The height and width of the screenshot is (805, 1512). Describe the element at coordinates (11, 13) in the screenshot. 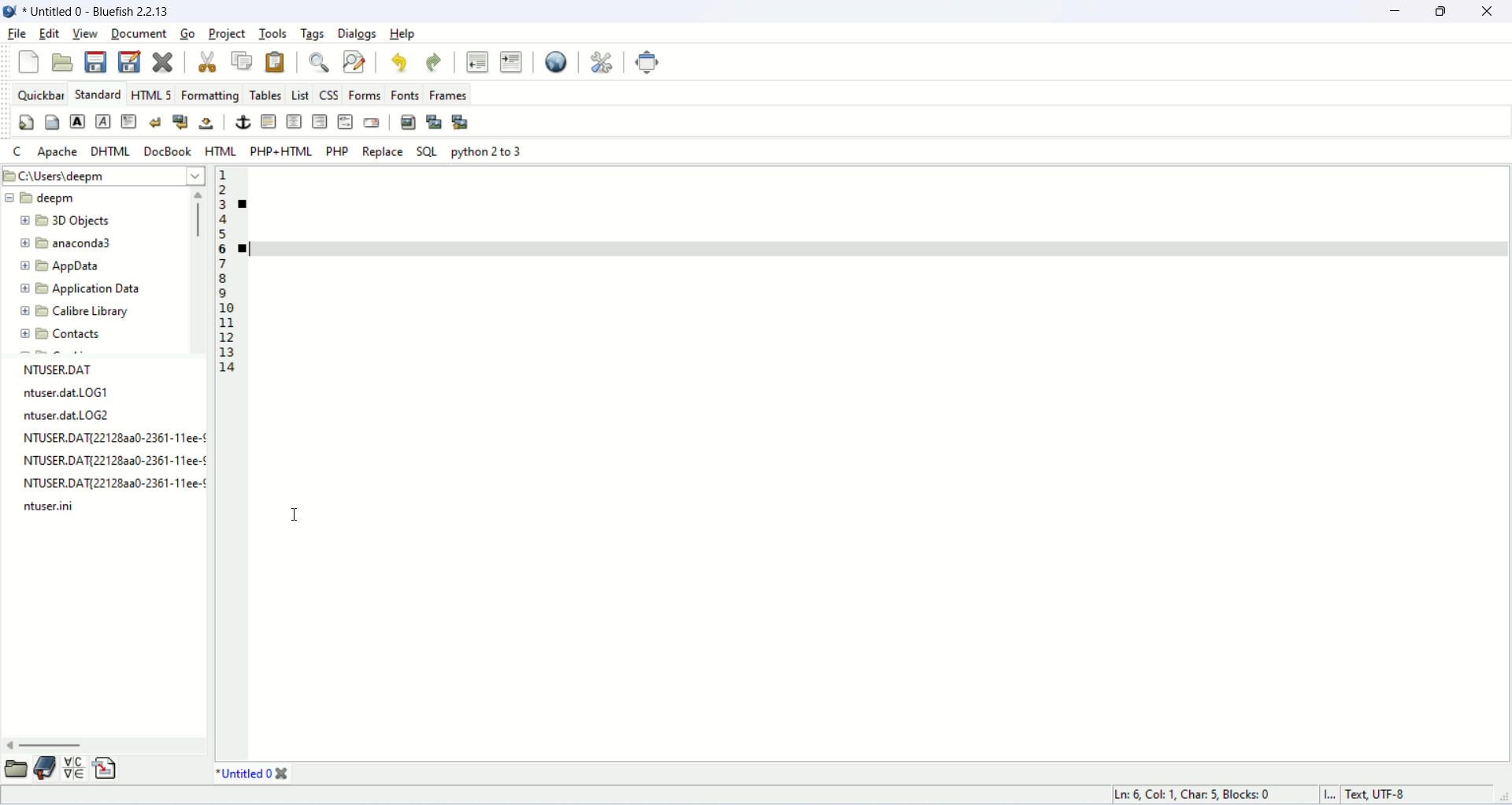

I see `image` at that location.